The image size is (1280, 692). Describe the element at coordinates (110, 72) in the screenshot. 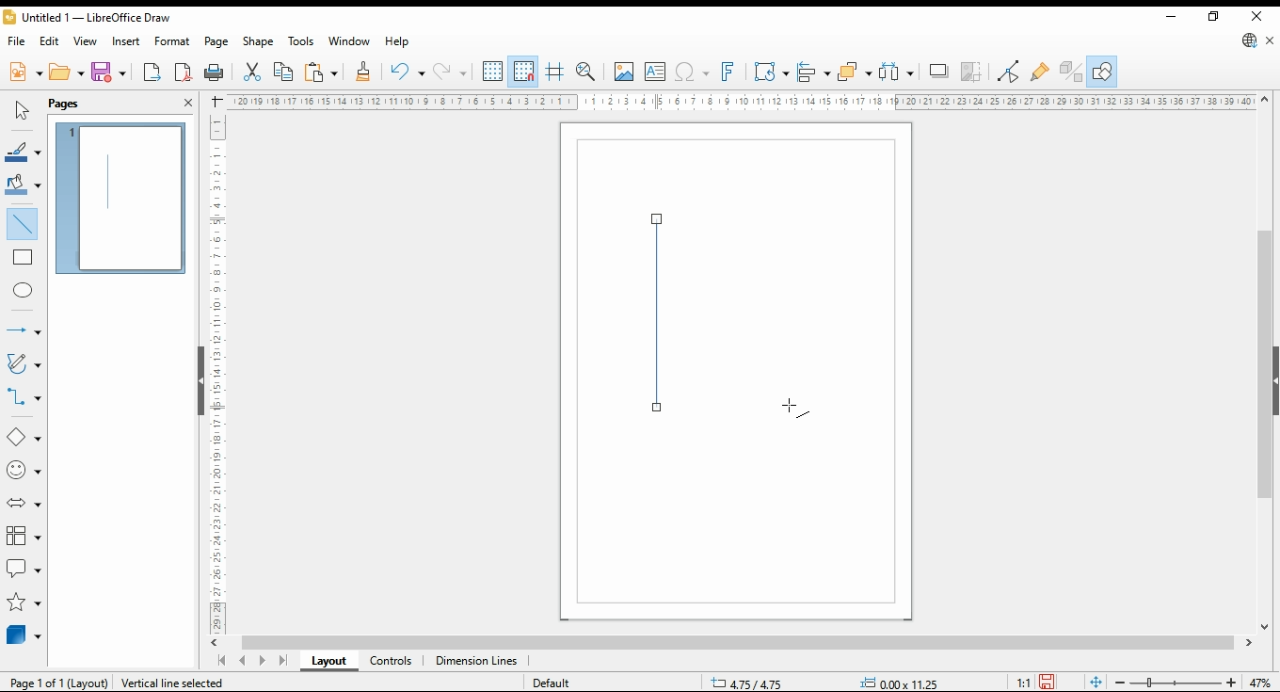

I see `save` at that location.